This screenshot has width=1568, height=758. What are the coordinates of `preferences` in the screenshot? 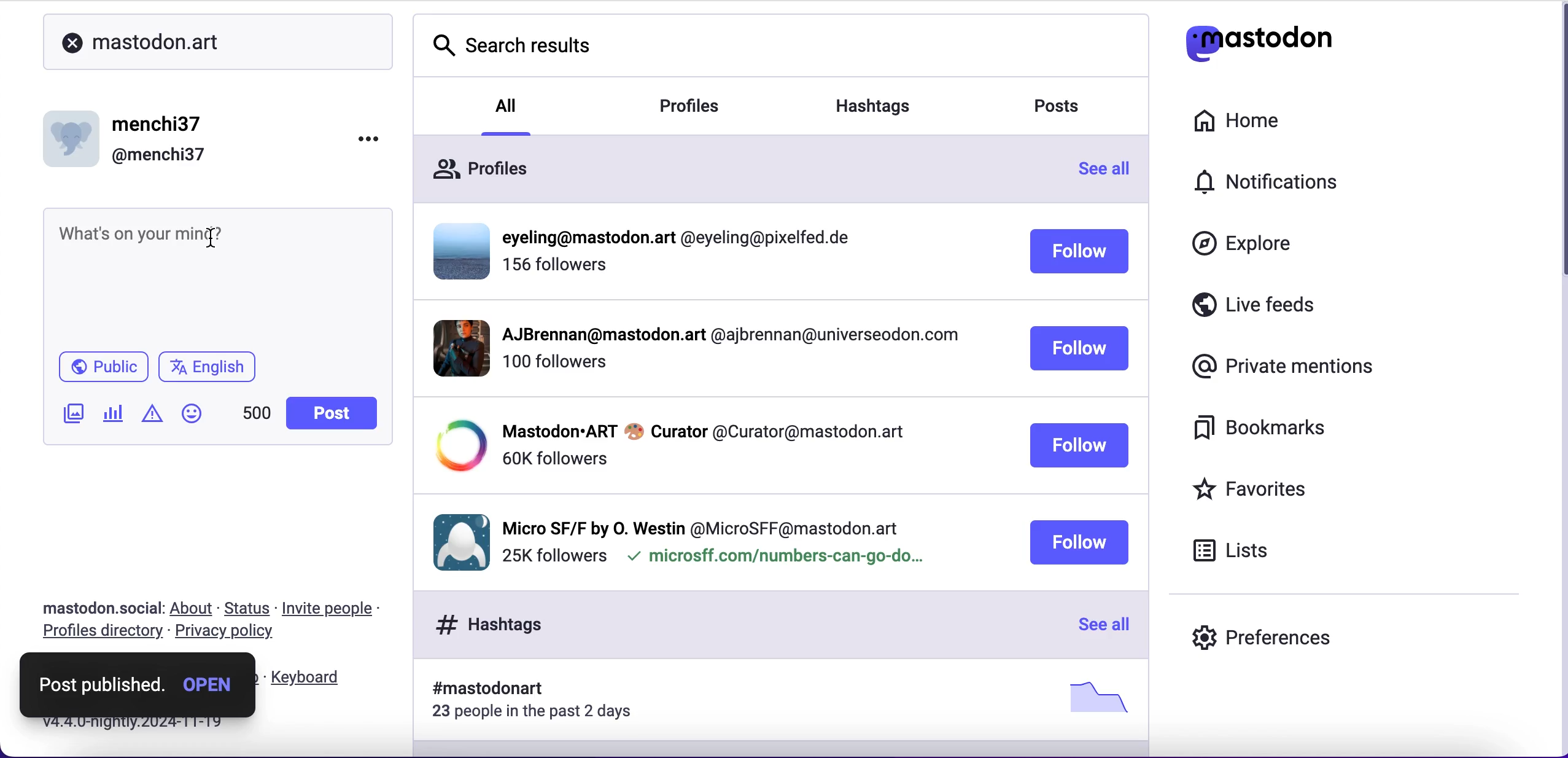 It's located at (1267, 635).